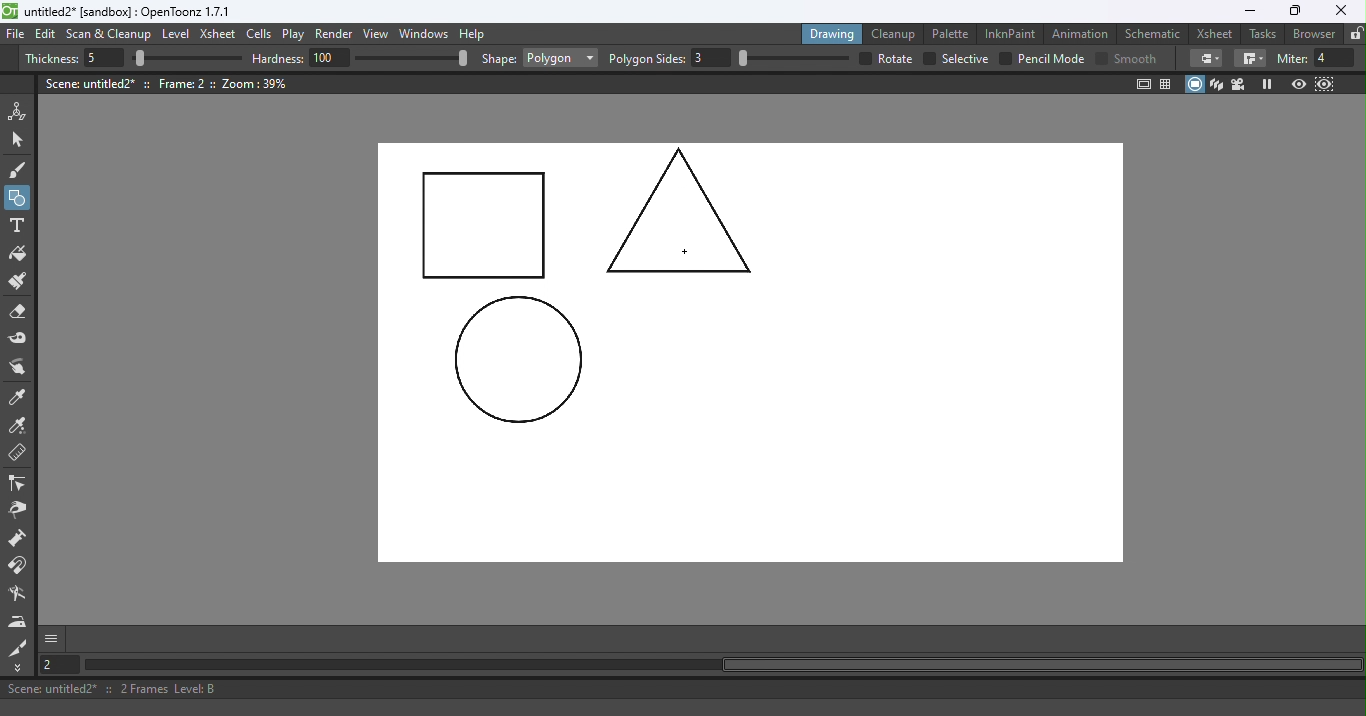  Describe the element at coordinates (51, 638) in the screenshot. I see `More options` at that location.